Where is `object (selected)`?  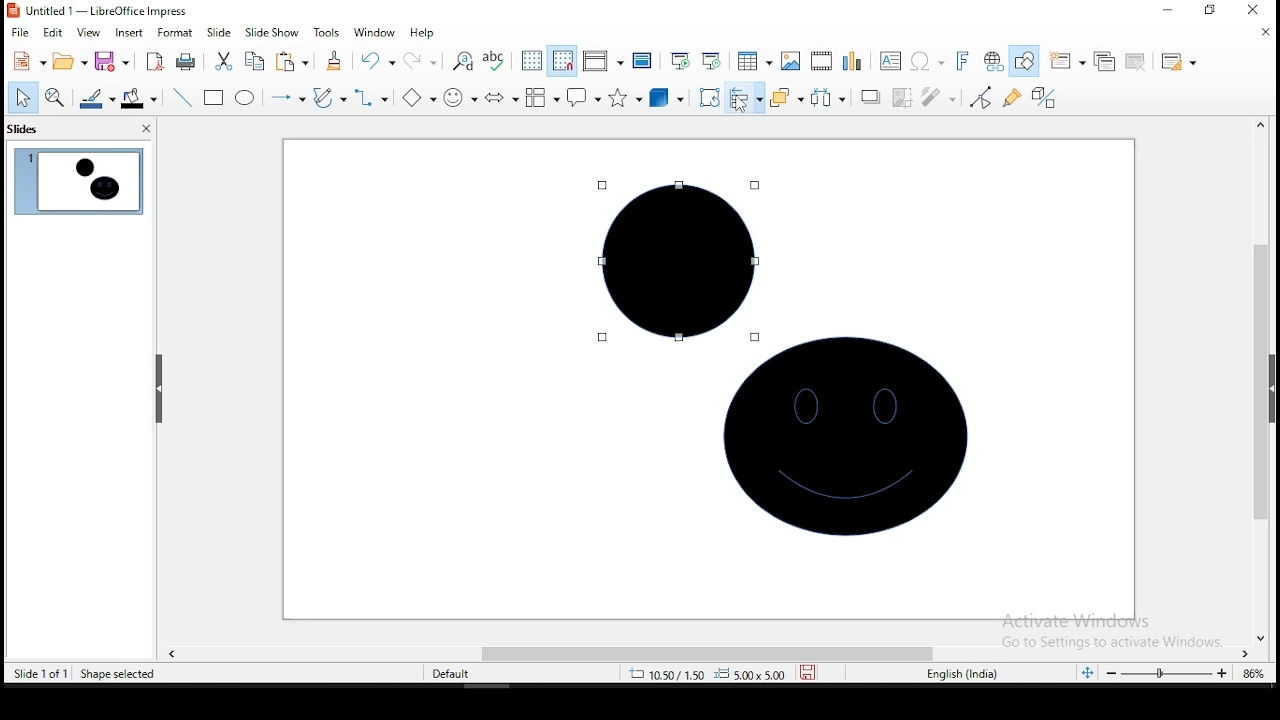
object (selected) is located at coordinates (673, 257).